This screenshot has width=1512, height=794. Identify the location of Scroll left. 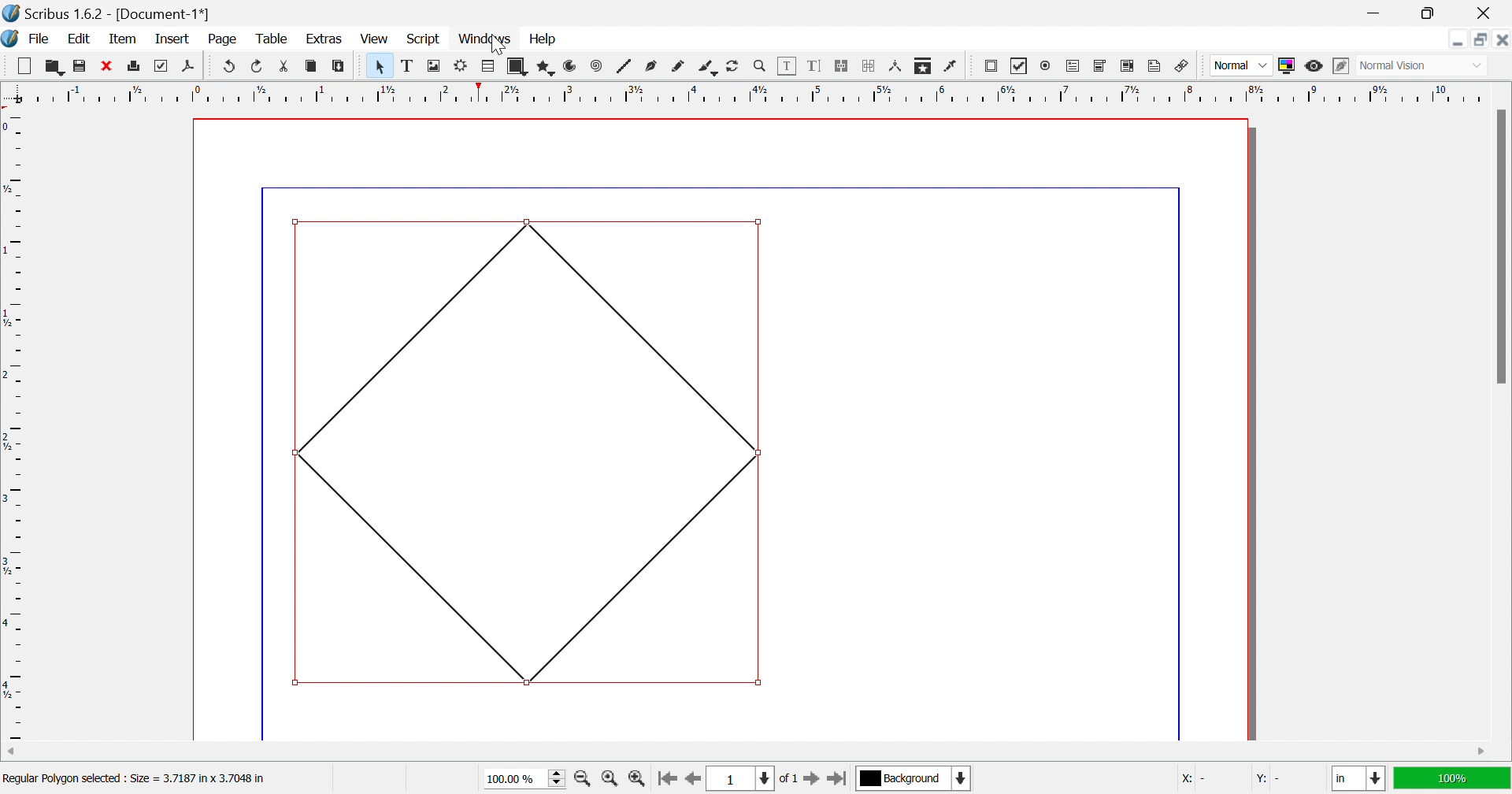
(13, 752).